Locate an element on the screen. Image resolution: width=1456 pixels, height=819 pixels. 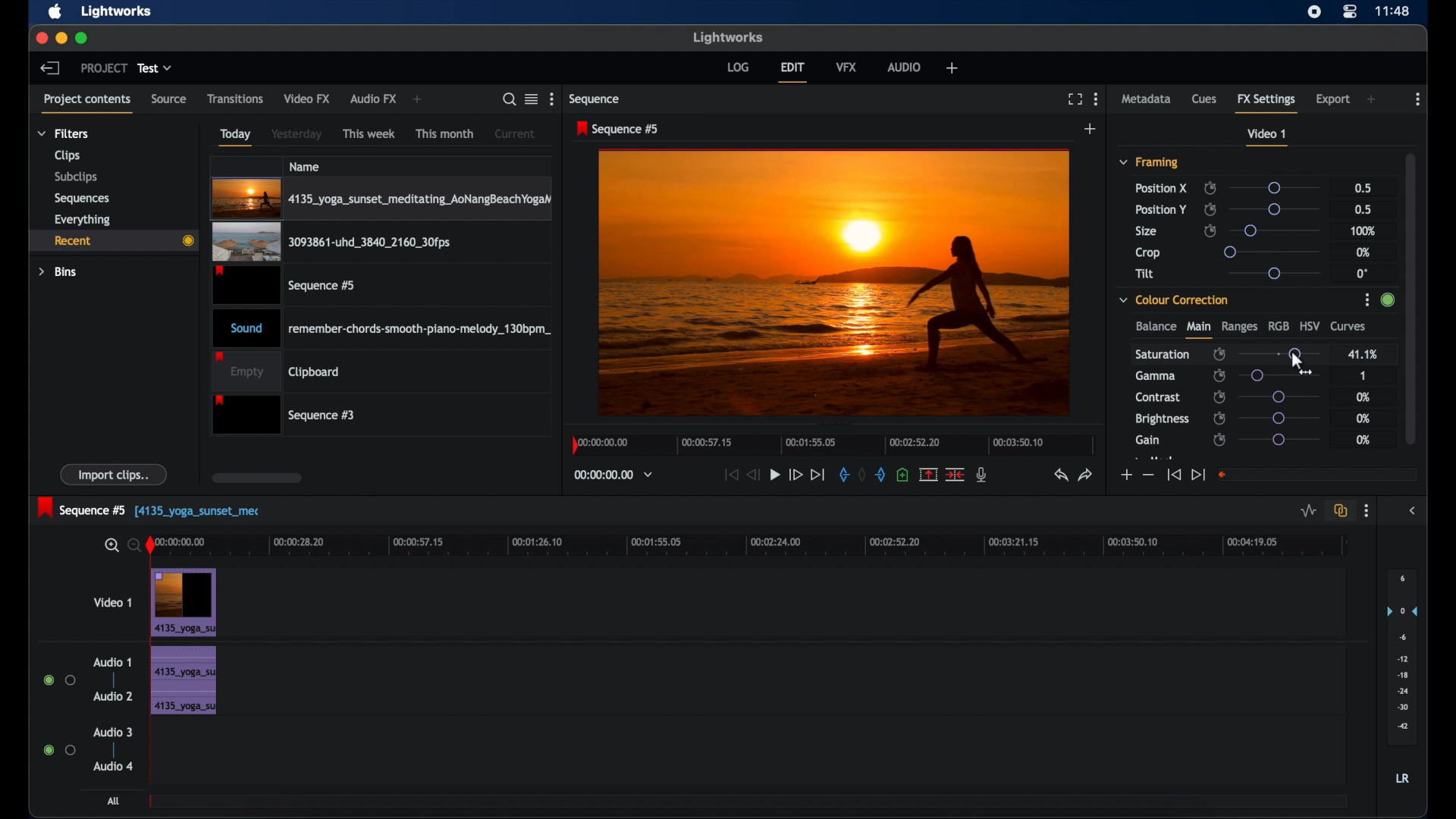
audio is located at coordinates (905, 67).